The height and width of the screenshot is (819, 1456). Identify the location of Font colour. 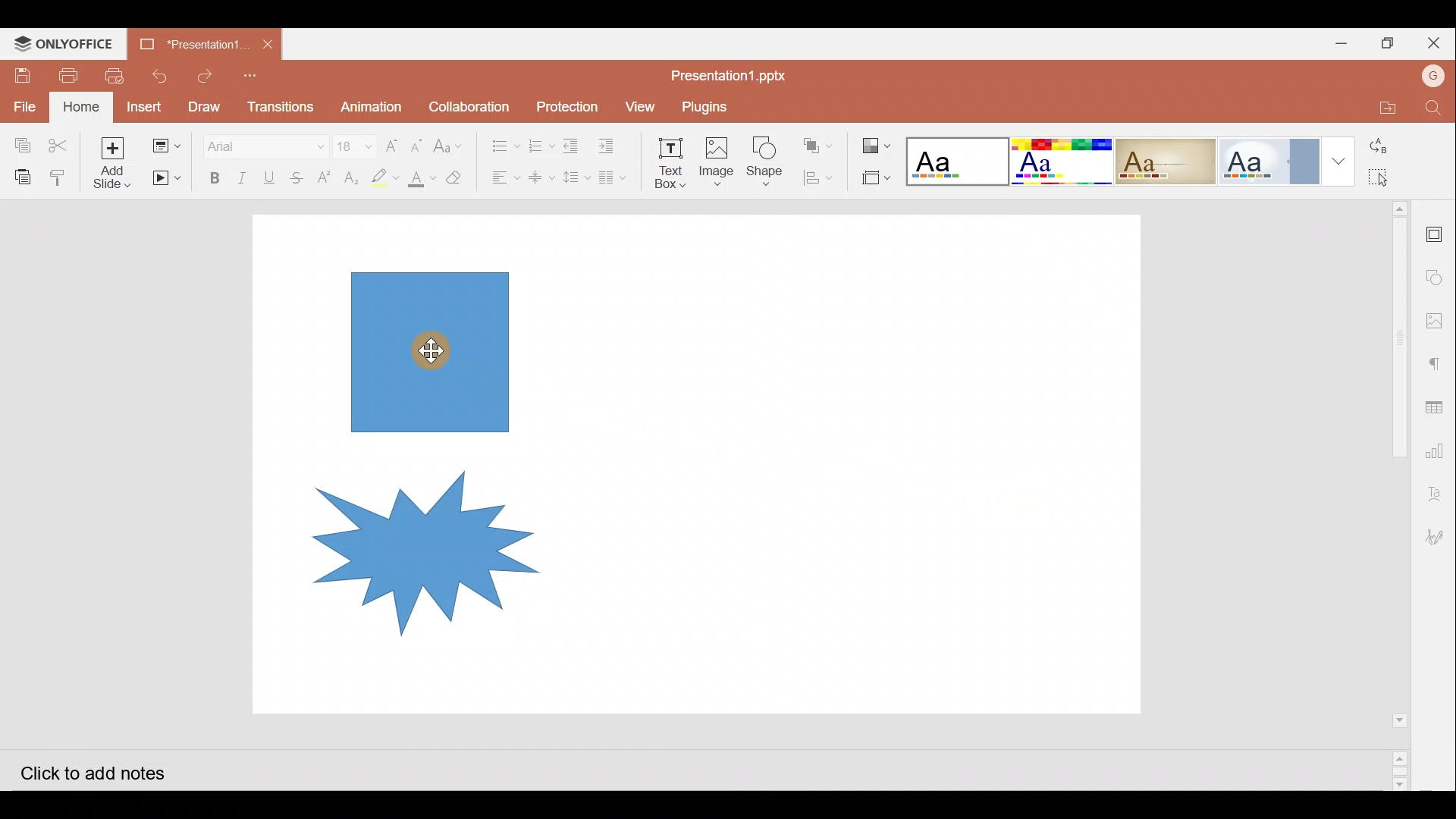
(420, 178).